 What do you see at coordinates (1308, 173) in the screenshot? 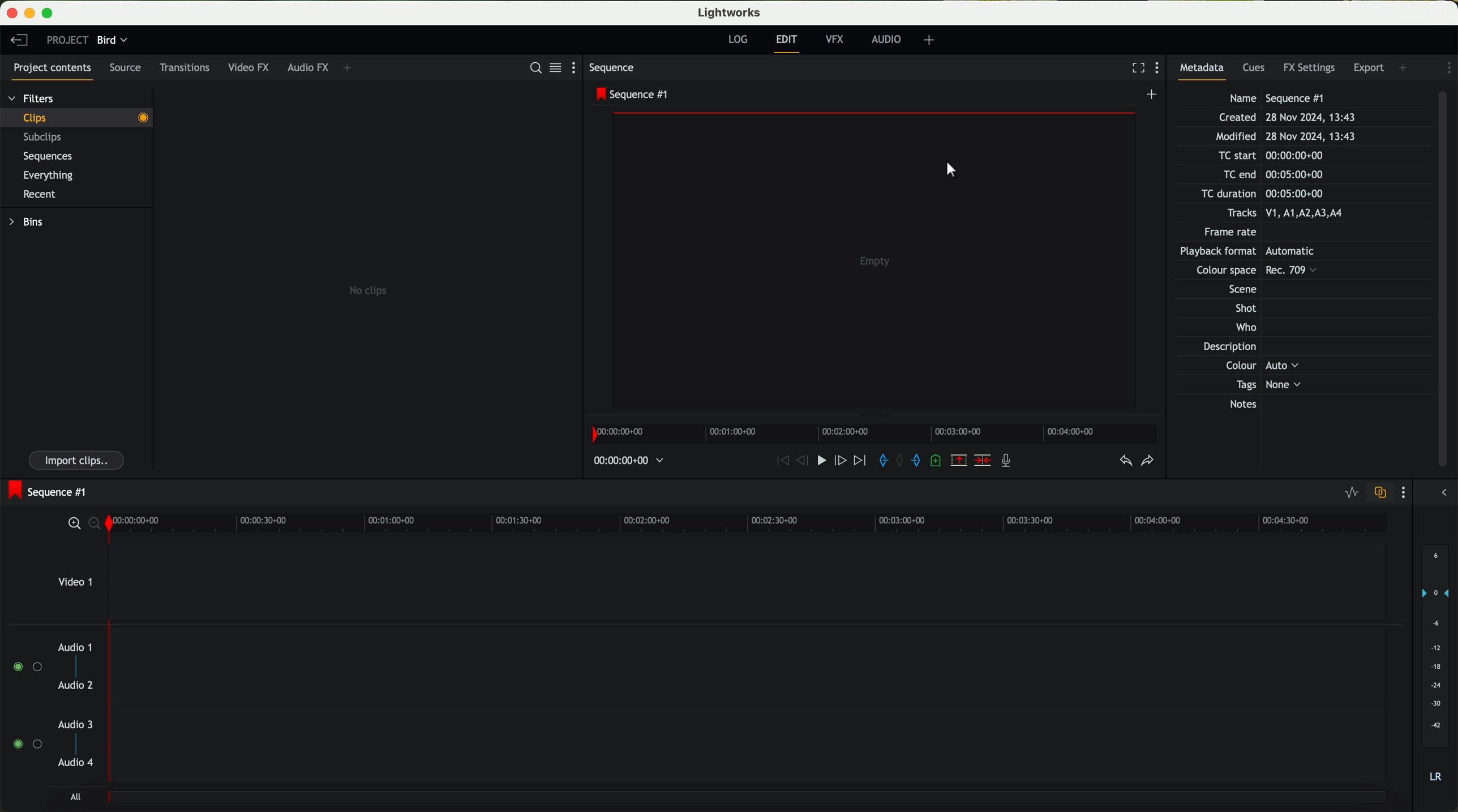
I see `TC end` at bounding box center [1308, 173].